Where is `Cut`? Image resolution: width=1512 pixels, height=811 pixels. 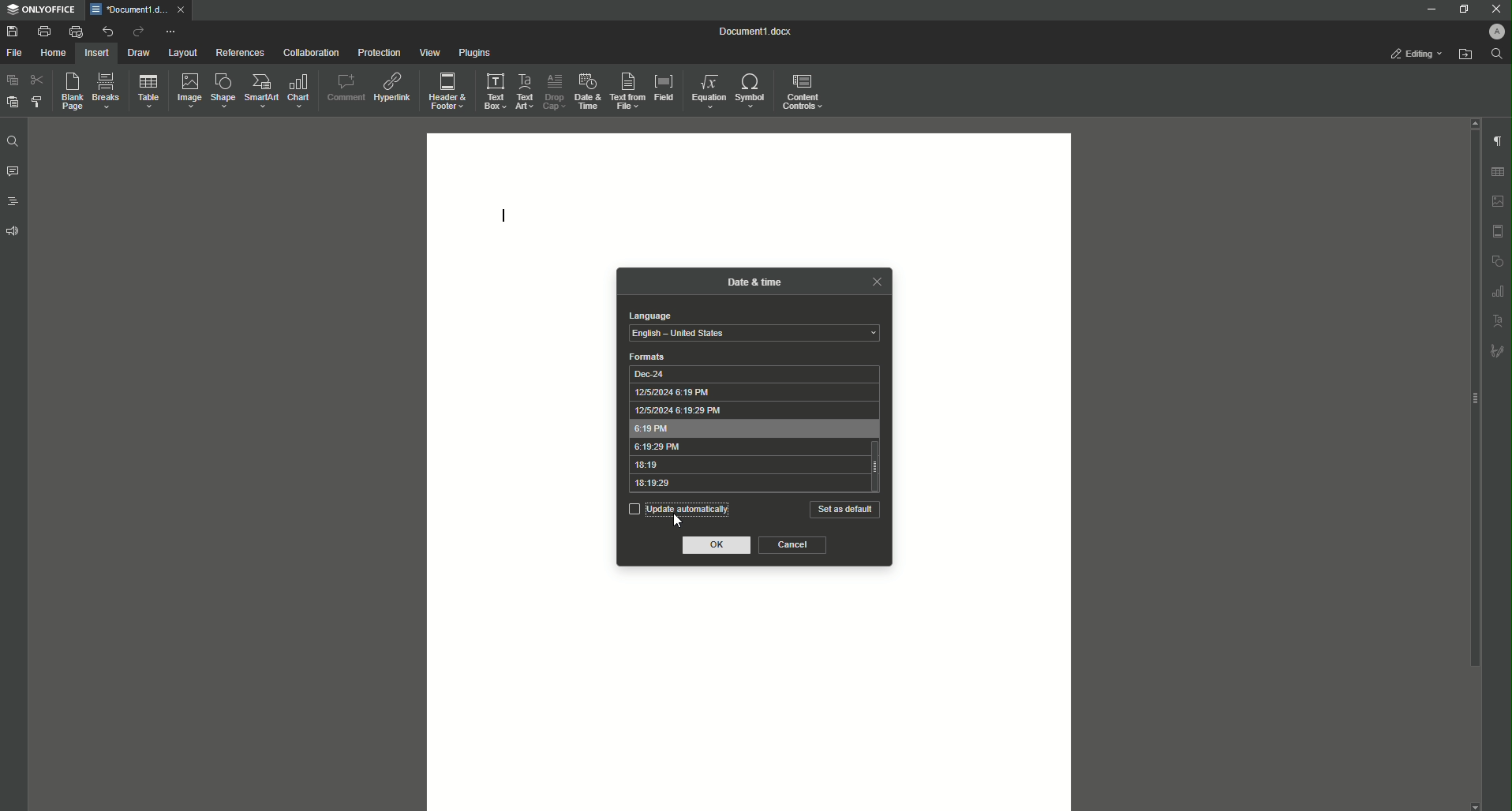
Cut is located at coordinates (36, 80).